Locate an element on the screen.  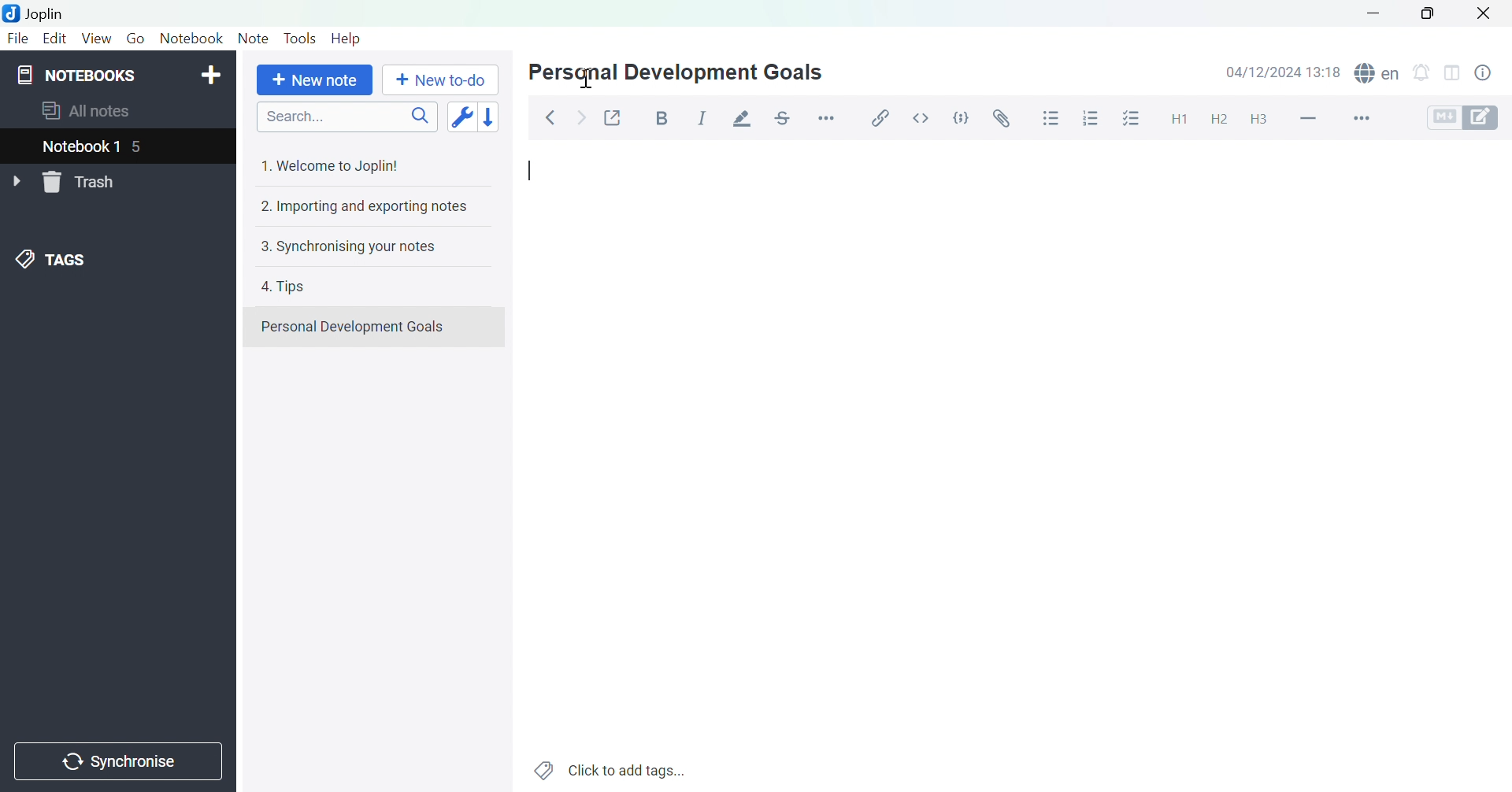
Tools is located at coordinates (302, 37).